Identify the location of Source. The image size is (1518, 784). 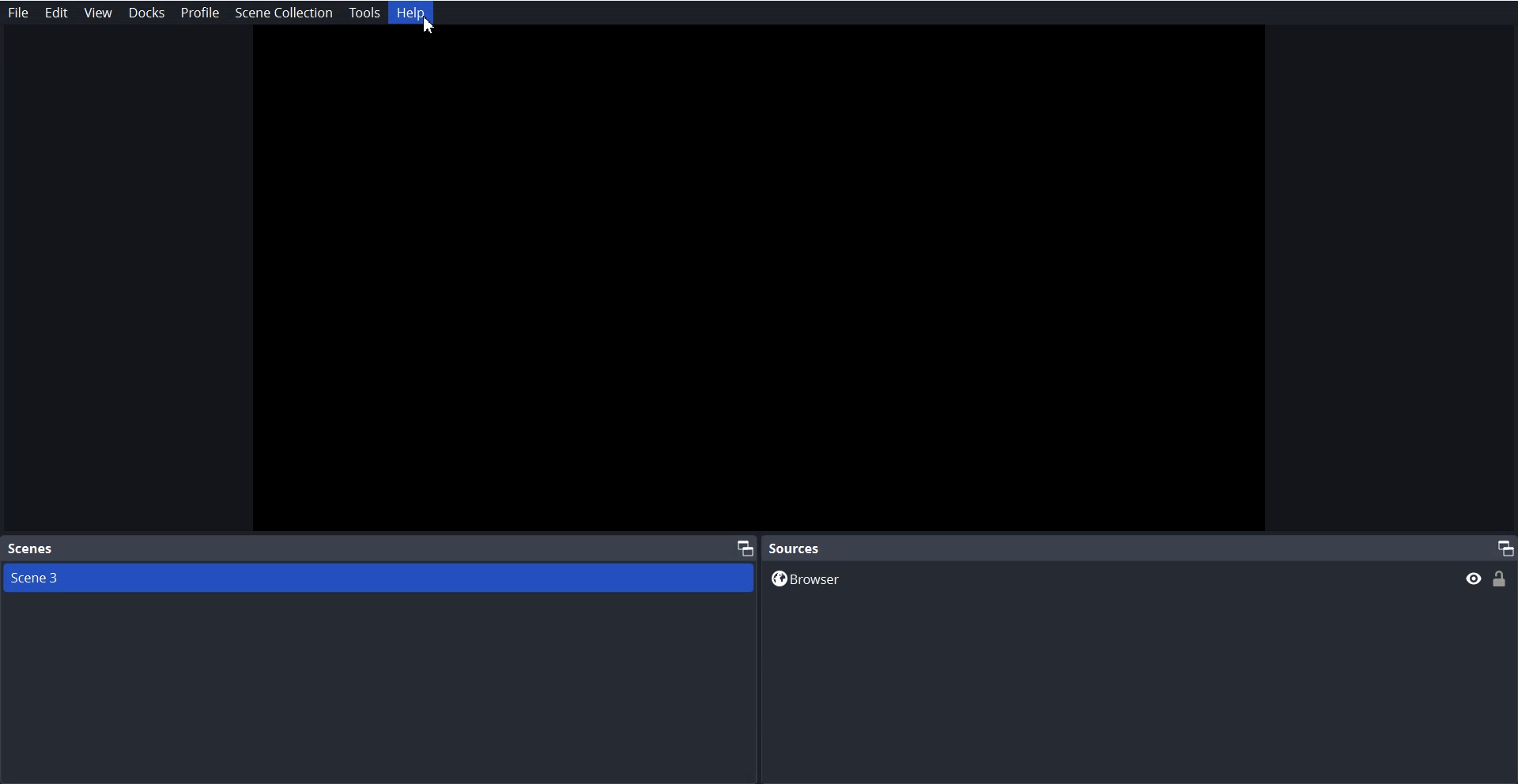
(794, 547).